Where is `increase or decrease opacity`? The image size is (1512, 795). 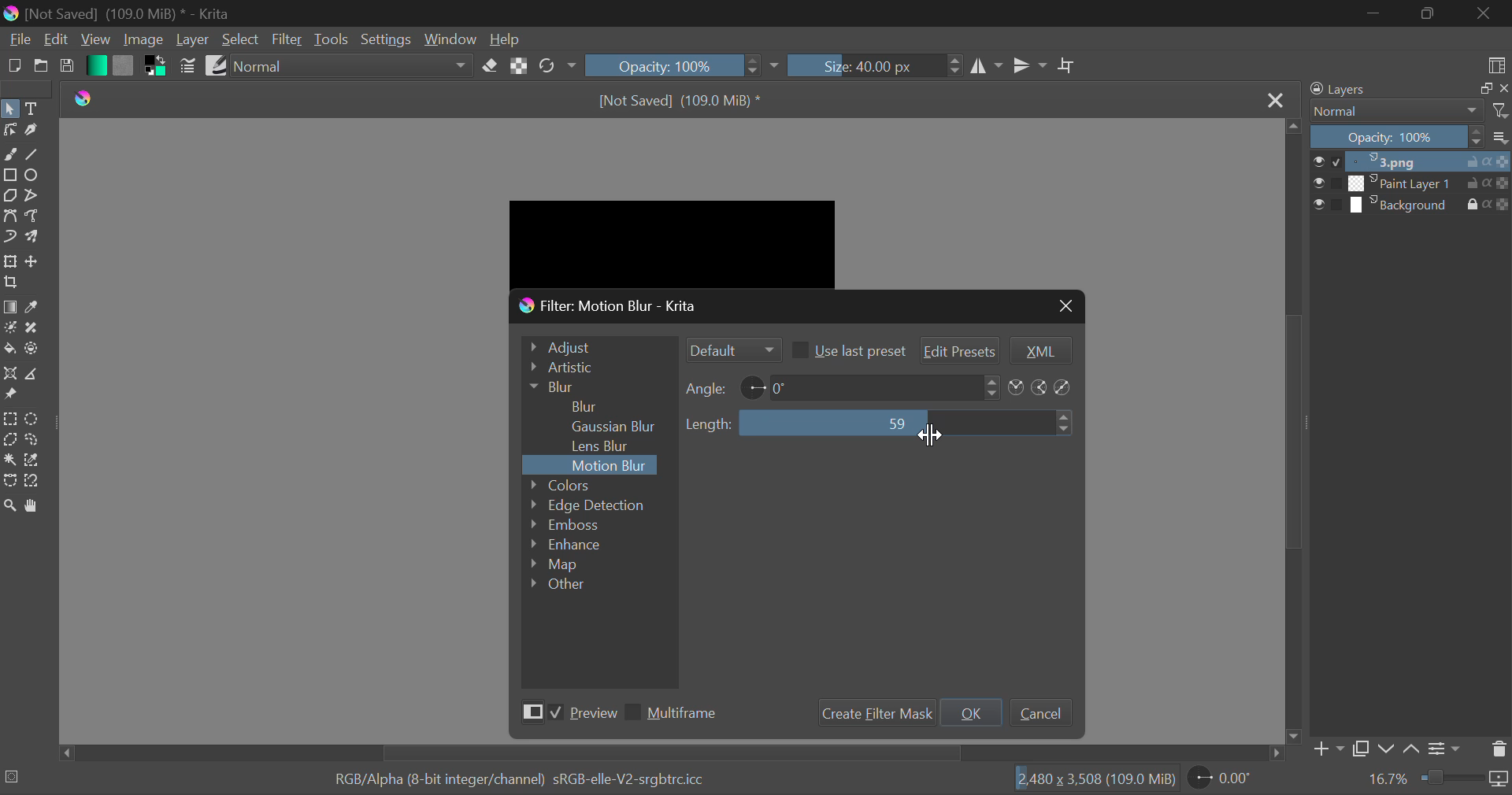 increase or decrease opacity is located at coordinates (754, 66).